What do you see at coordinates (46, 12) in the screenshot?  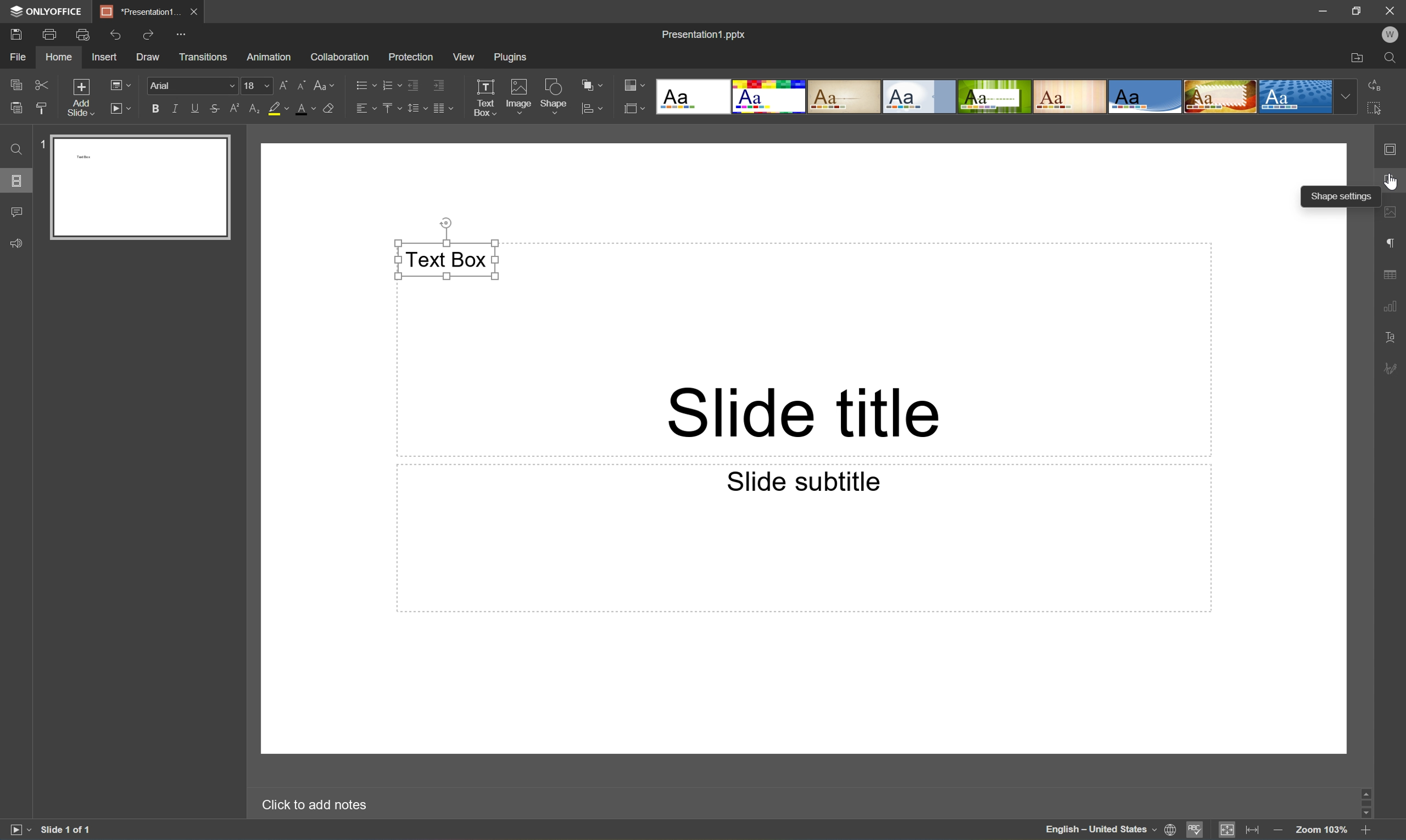 I see `ONLYOFFICE` at bounding box center [46, 12].